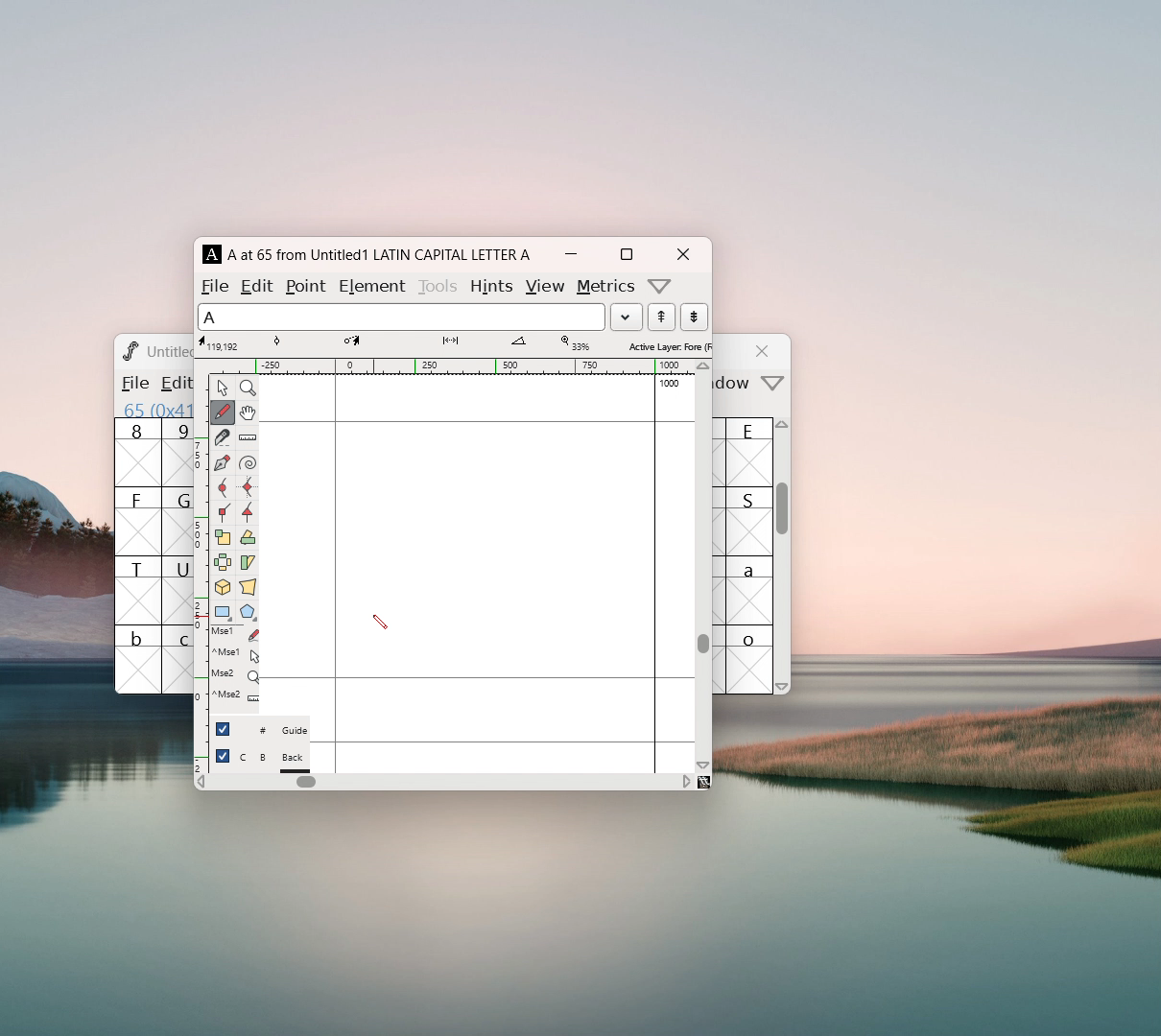 This screenshot has height=1036, width=1161. I want to click on c, so click(178, 660).